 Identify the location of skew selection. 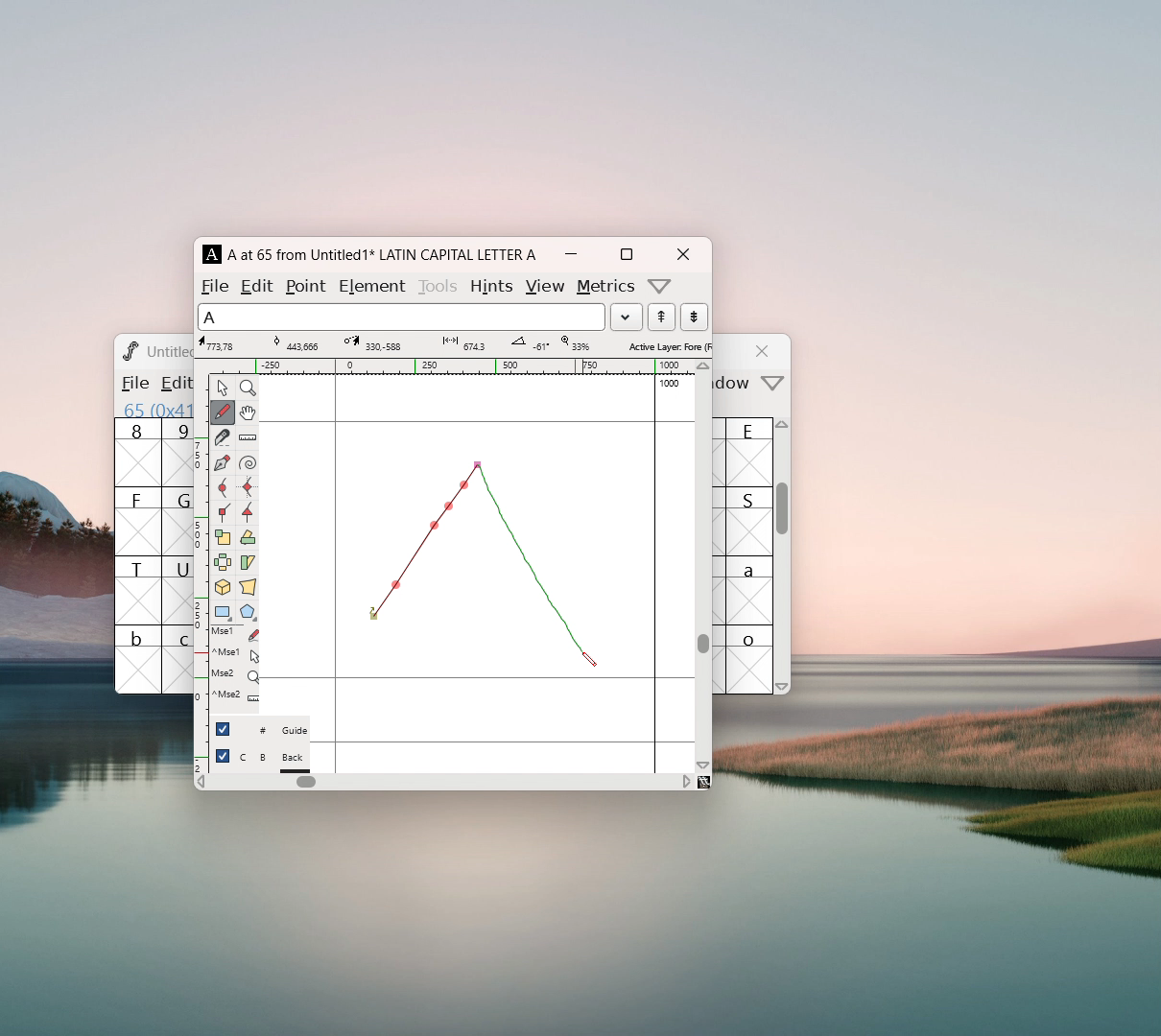
(247, 564).